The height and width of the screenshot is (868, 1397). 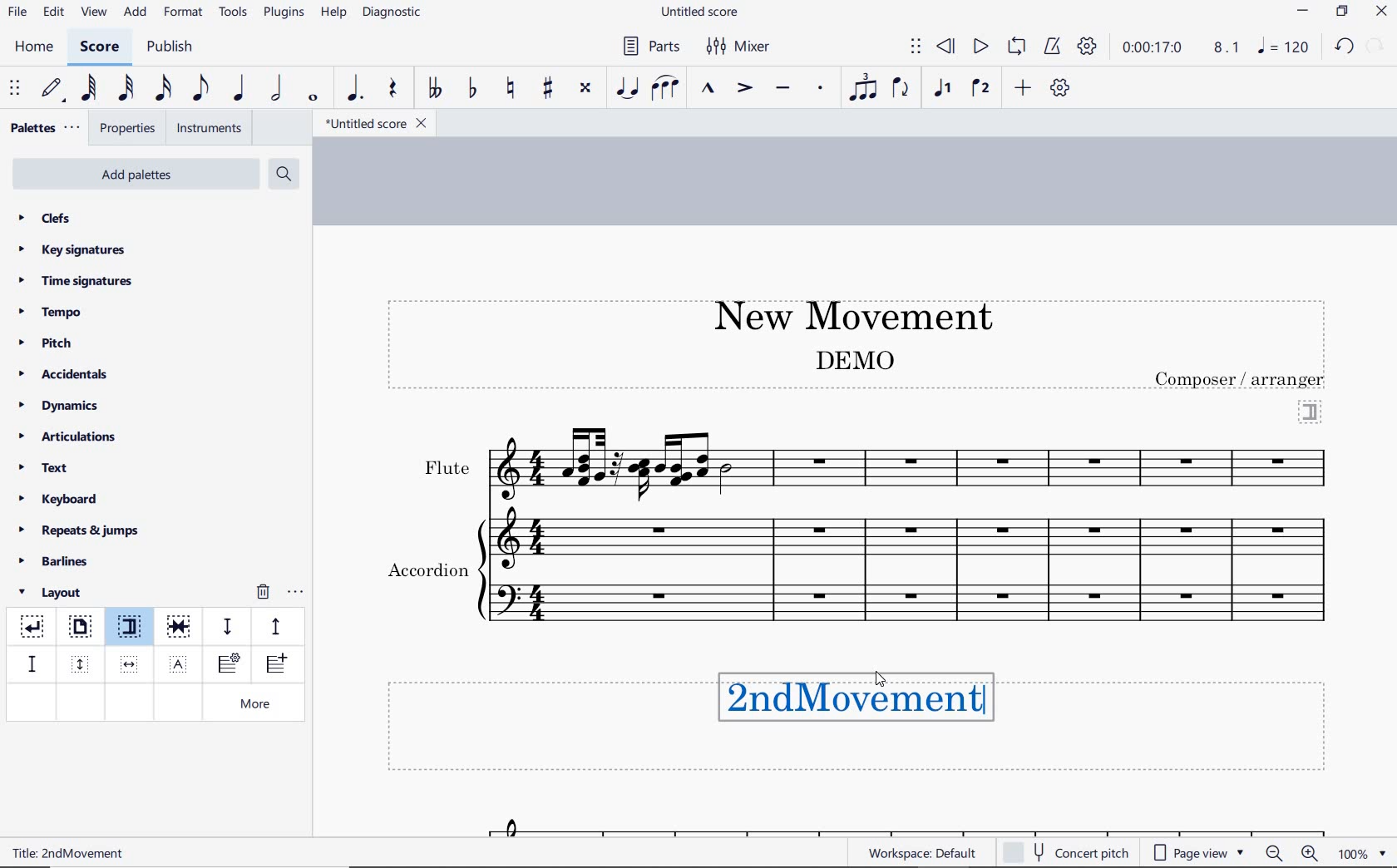 What do you see at coordinates (30, 663) in the screenshot?
I see `staff spacer fixed down` at bounding box center [30, 663].